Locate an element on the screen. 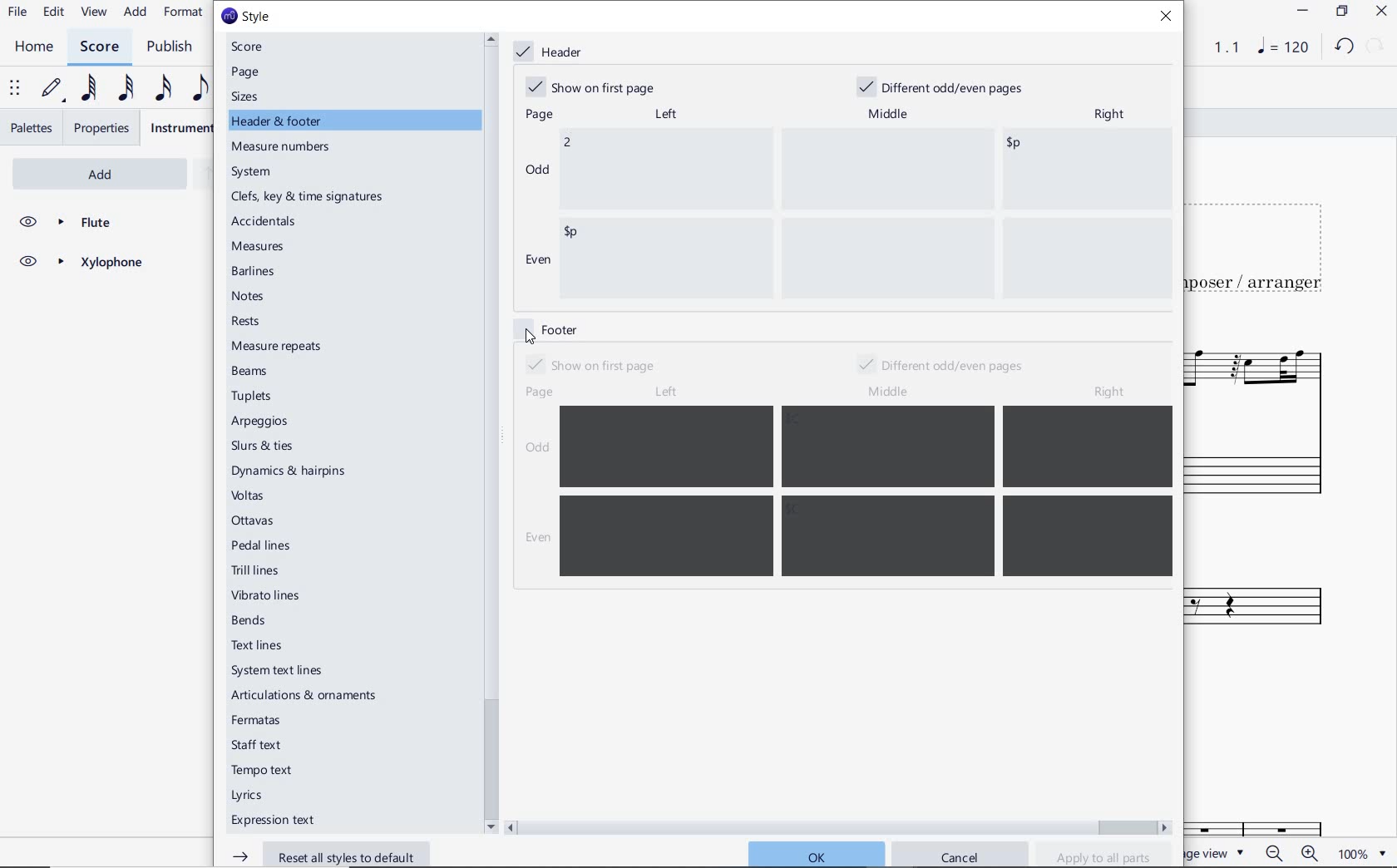 The image size is (1397, 868). RESTORE DOWN is located at coordinates (1341, 12).